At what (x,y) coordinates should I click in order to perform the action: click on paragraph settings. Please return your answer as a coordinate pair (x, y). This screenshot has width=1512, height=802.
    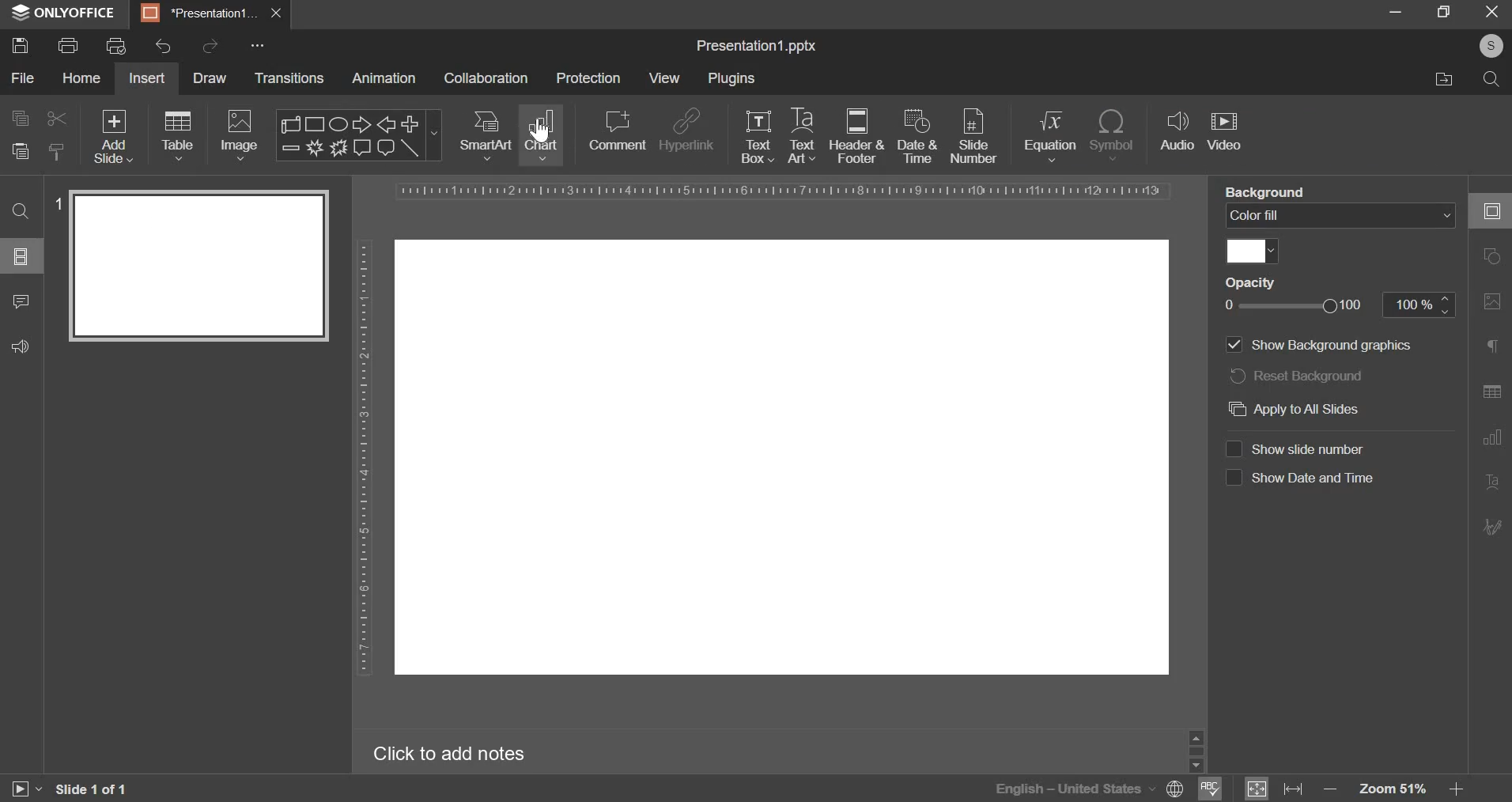
    Looking at the image, I should click on (1493, 347).